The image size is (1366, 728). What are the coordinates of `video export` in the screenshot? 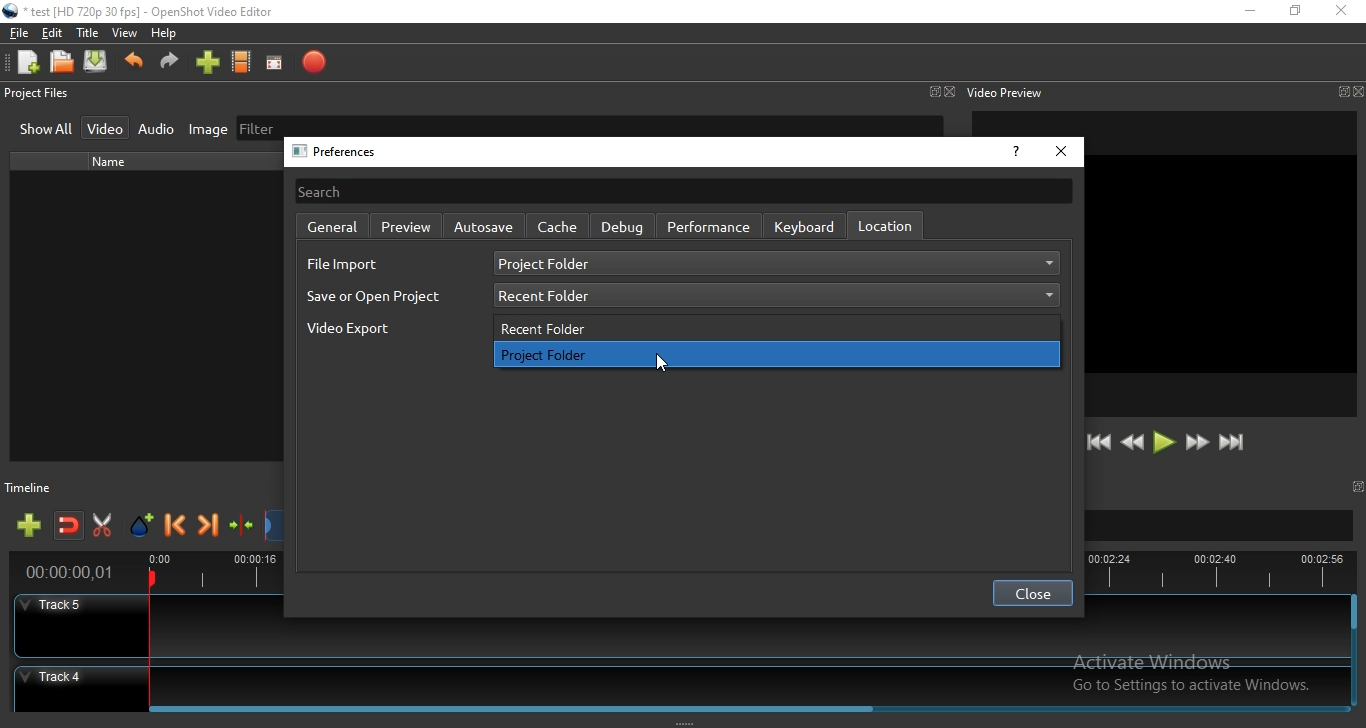 It's located at (360, 334).